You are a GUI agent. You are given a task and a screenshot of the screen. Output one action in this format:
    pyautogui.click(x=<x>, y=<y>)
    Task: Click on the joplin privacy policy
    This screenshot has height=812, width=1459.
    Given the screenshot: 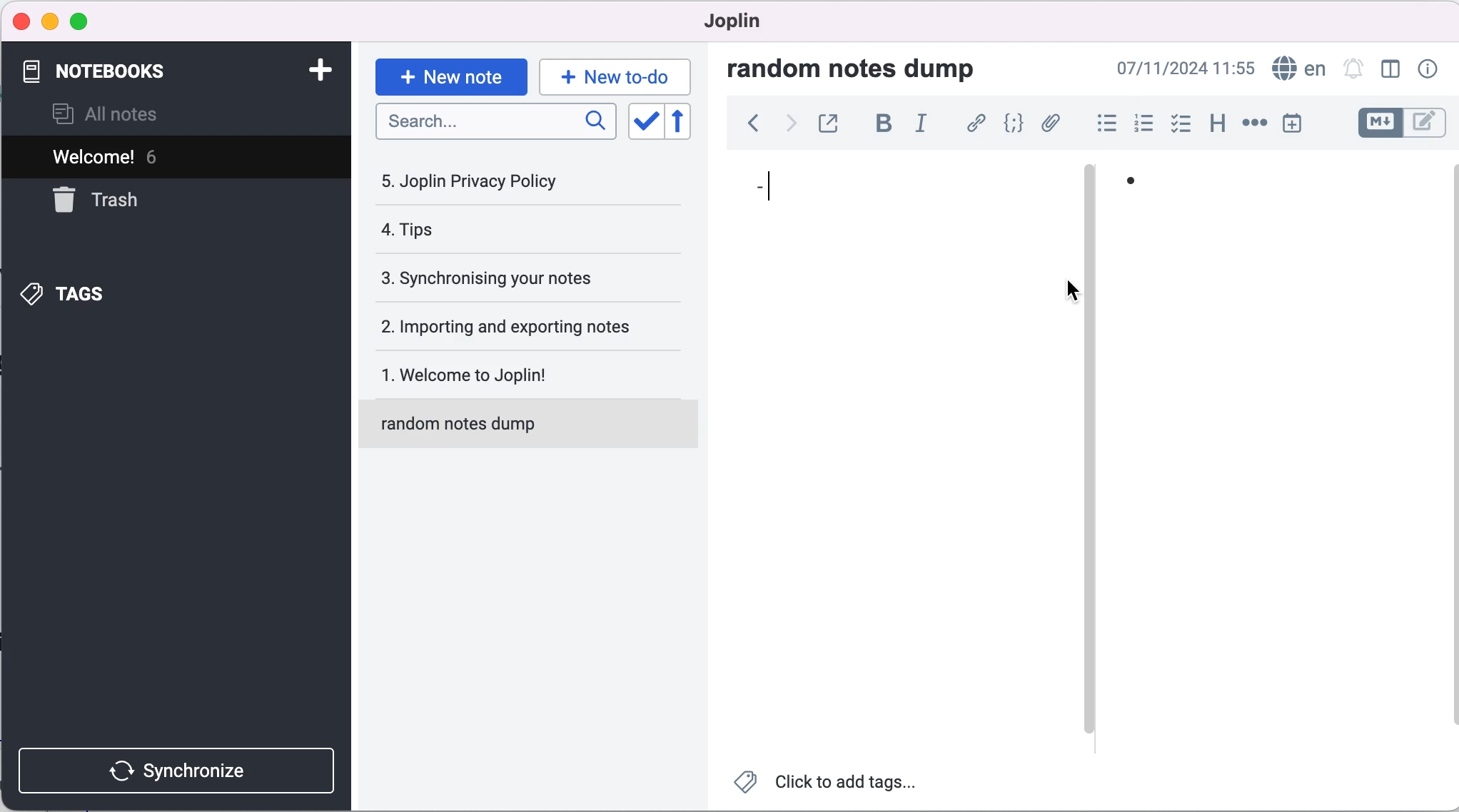 What is the action you would take?
    pyautogui.click(x=486, y=181)
    